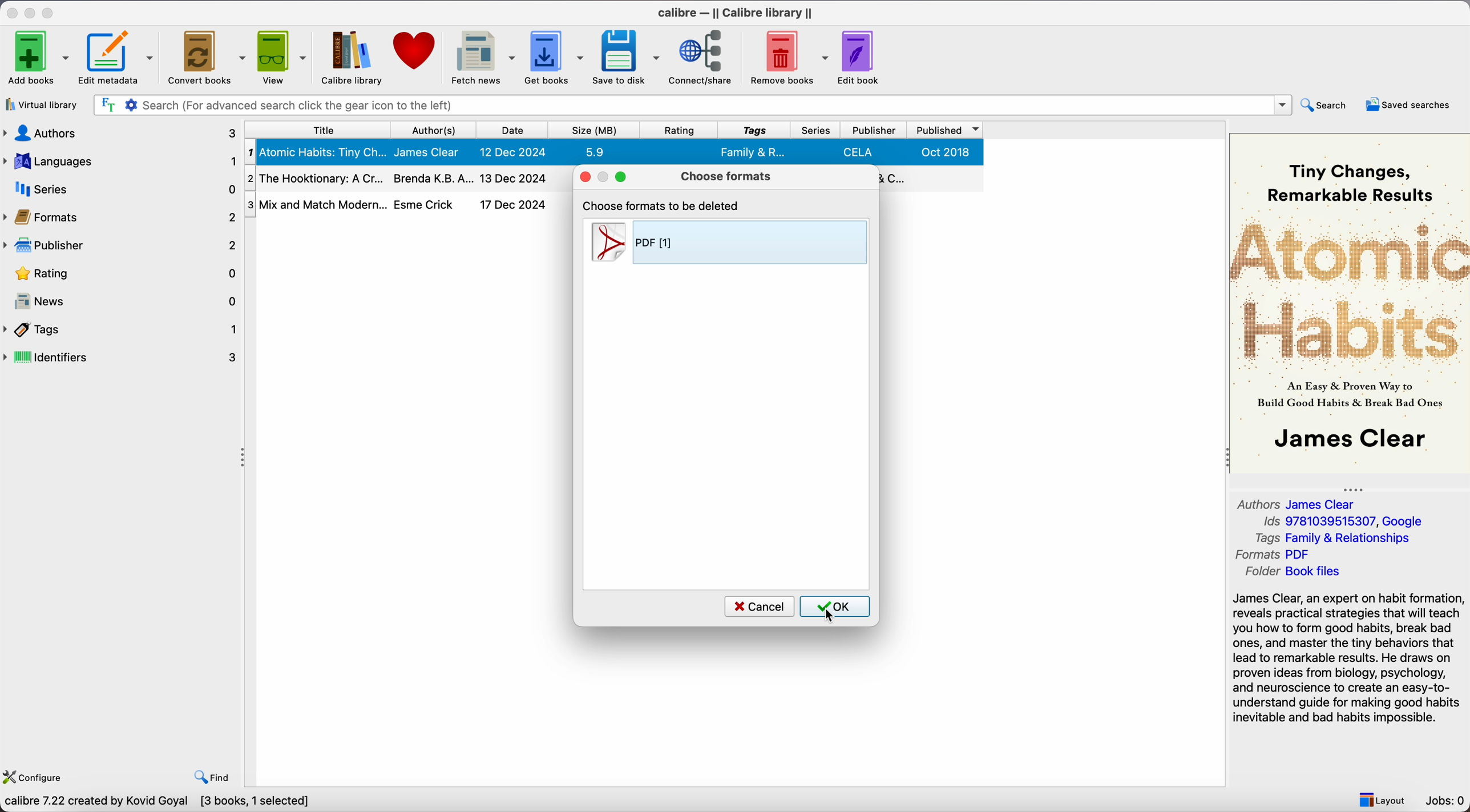  What do you see at coordinates (515, 205) in the screenshot?
I see `17 Dec 2024` at bounding box center [515, 205].